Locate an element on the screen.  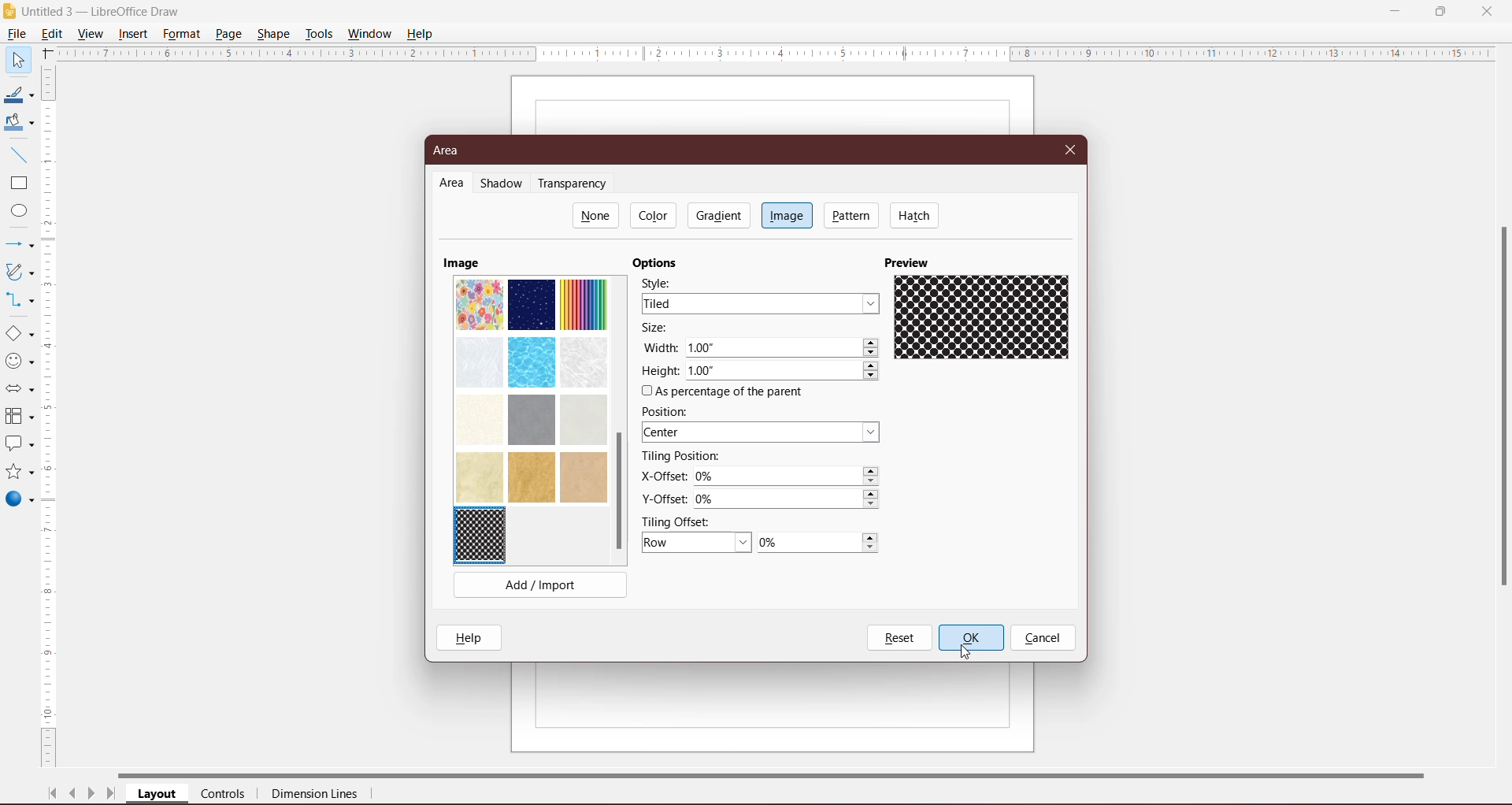
View is located at coordinates (91, 33).